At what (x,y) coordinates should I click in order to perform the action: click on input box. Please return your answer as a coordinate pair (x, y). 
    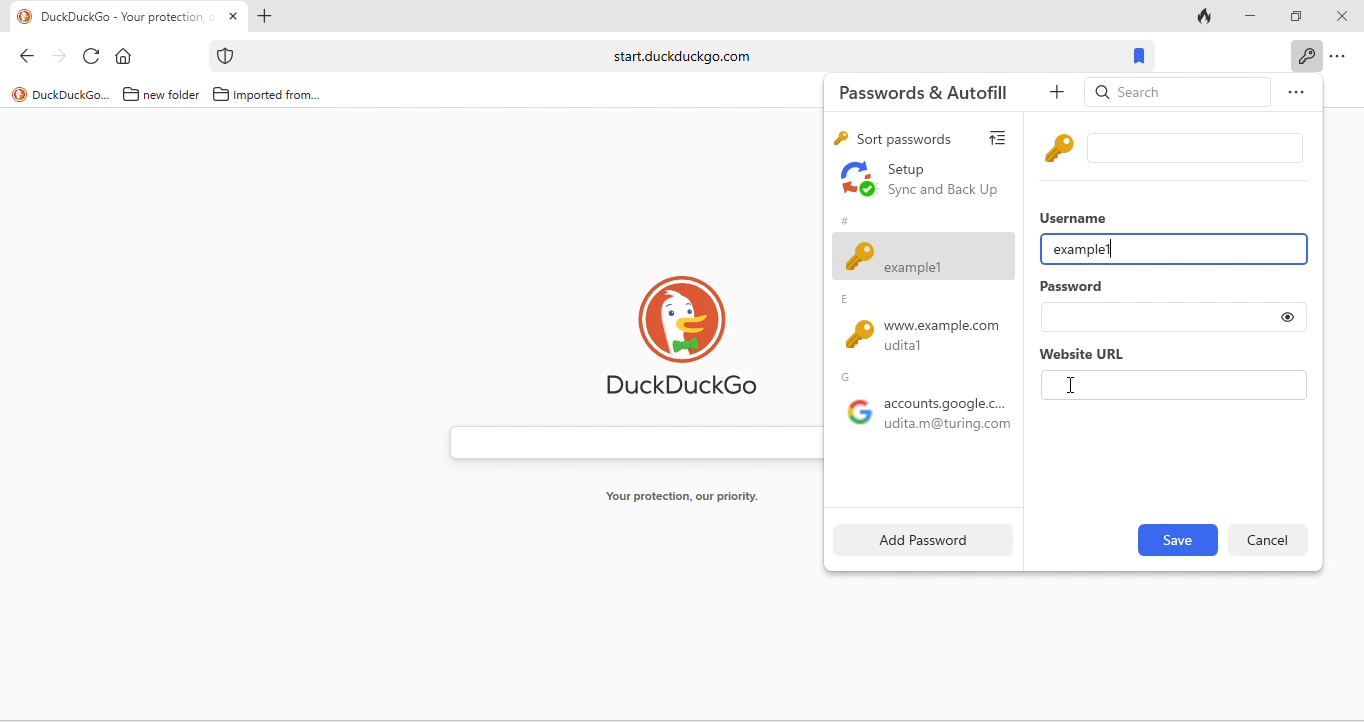
    Looking at the image, I should click on (1199, 148).